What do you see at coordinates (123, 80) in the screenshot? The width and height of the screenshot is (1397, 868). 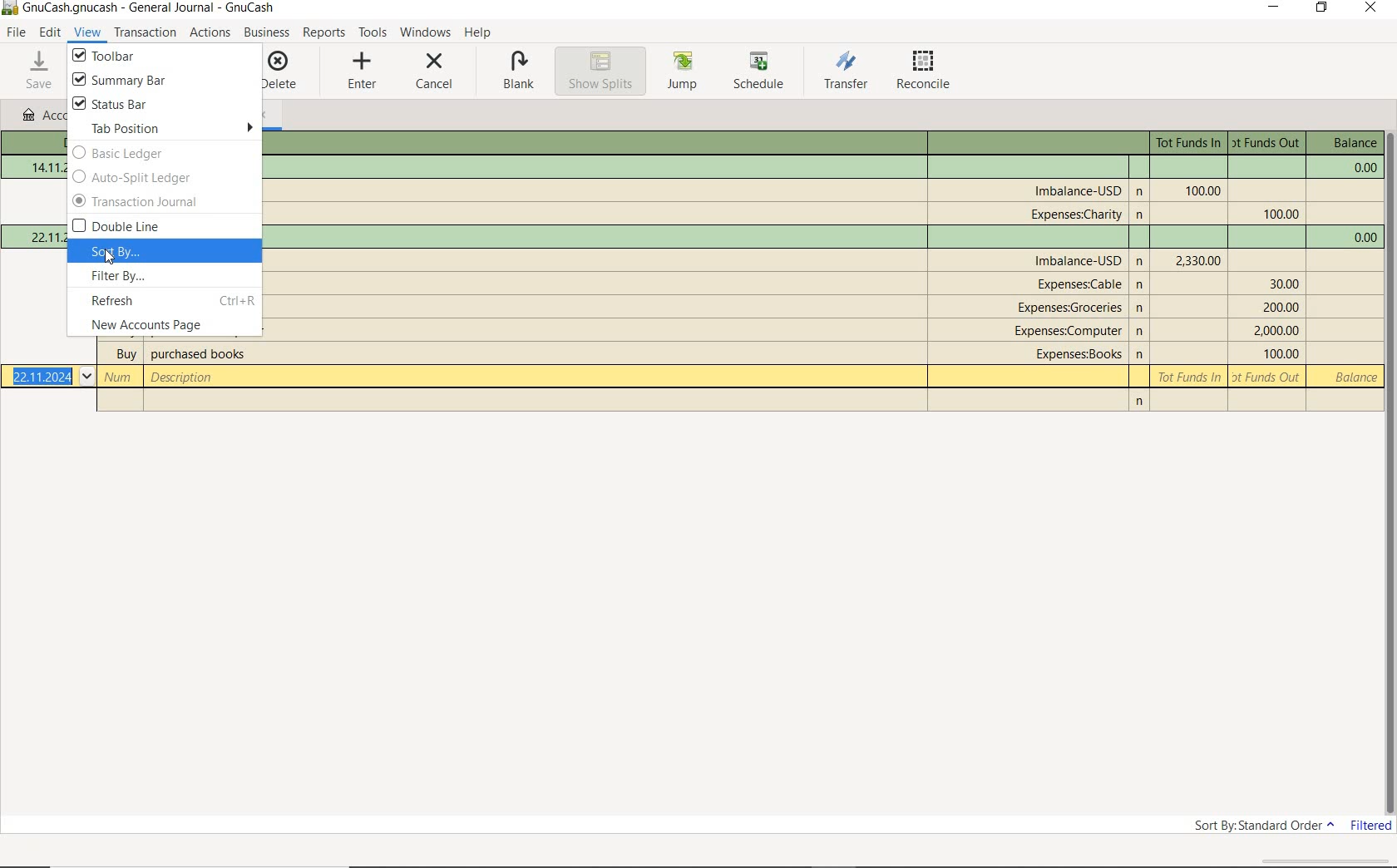 I see `summary bar` at bounding box center [123, 80].